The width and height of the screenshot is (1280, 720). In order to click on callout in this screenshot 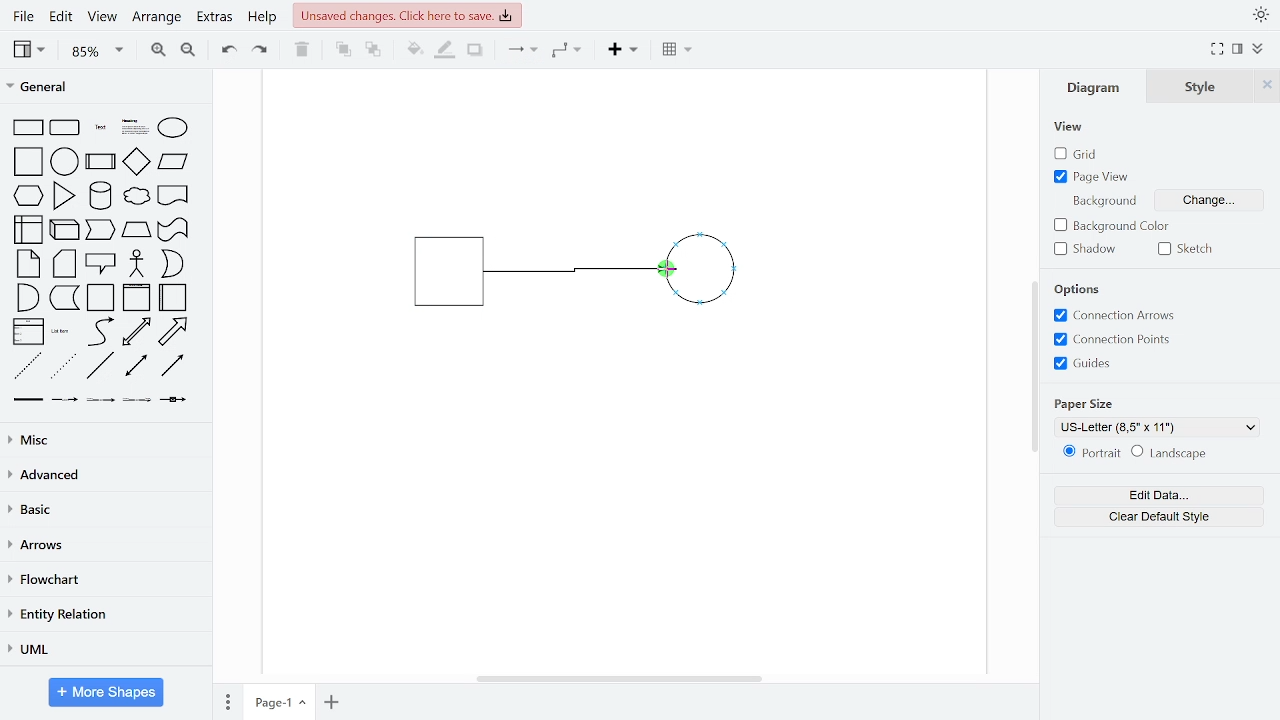, I will do `click(102, 264)`.